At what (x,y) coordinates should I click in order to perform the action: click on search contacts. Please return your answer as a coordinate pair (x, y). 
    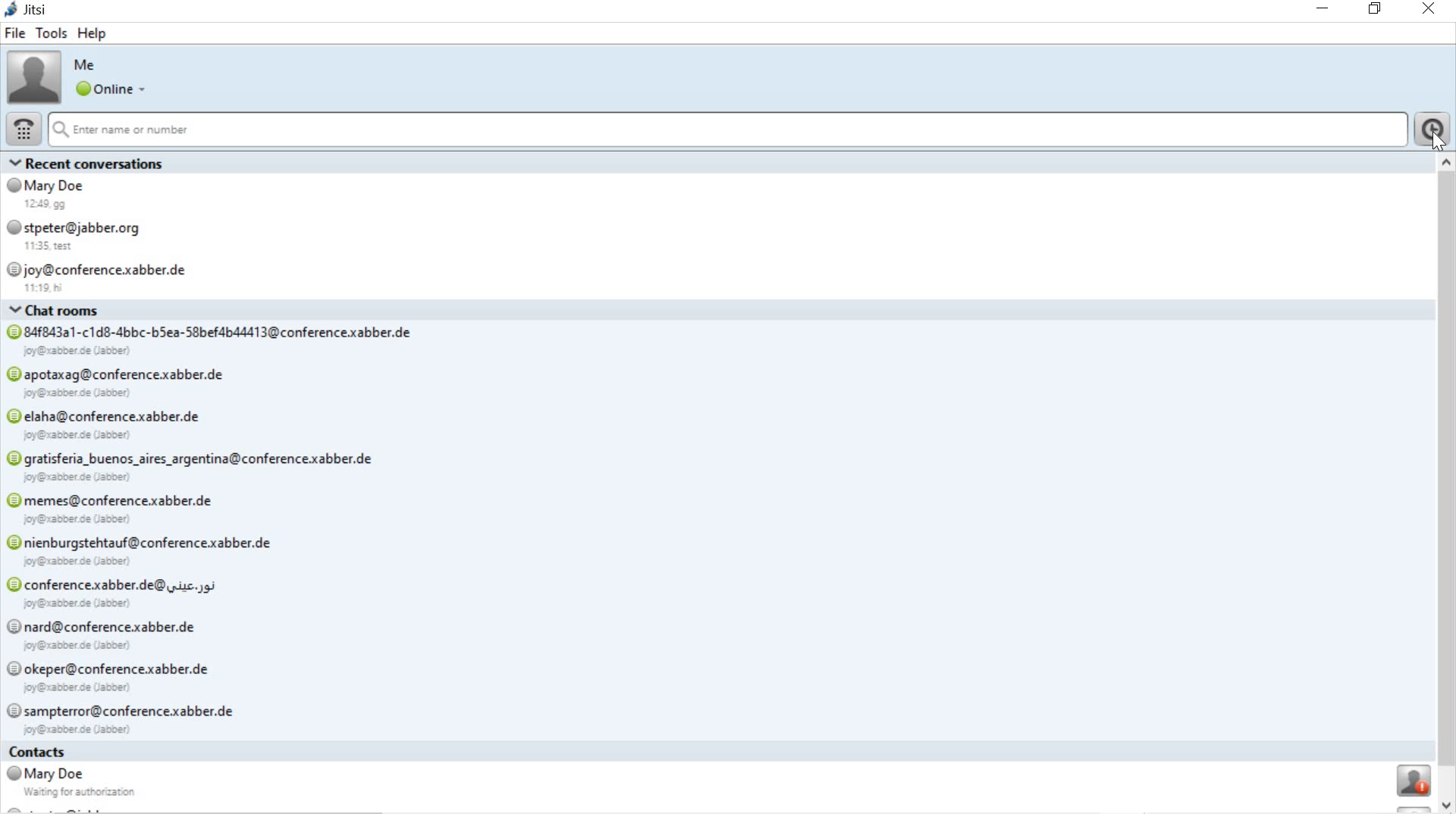
    Looking at the image, I should click on (727, 131).